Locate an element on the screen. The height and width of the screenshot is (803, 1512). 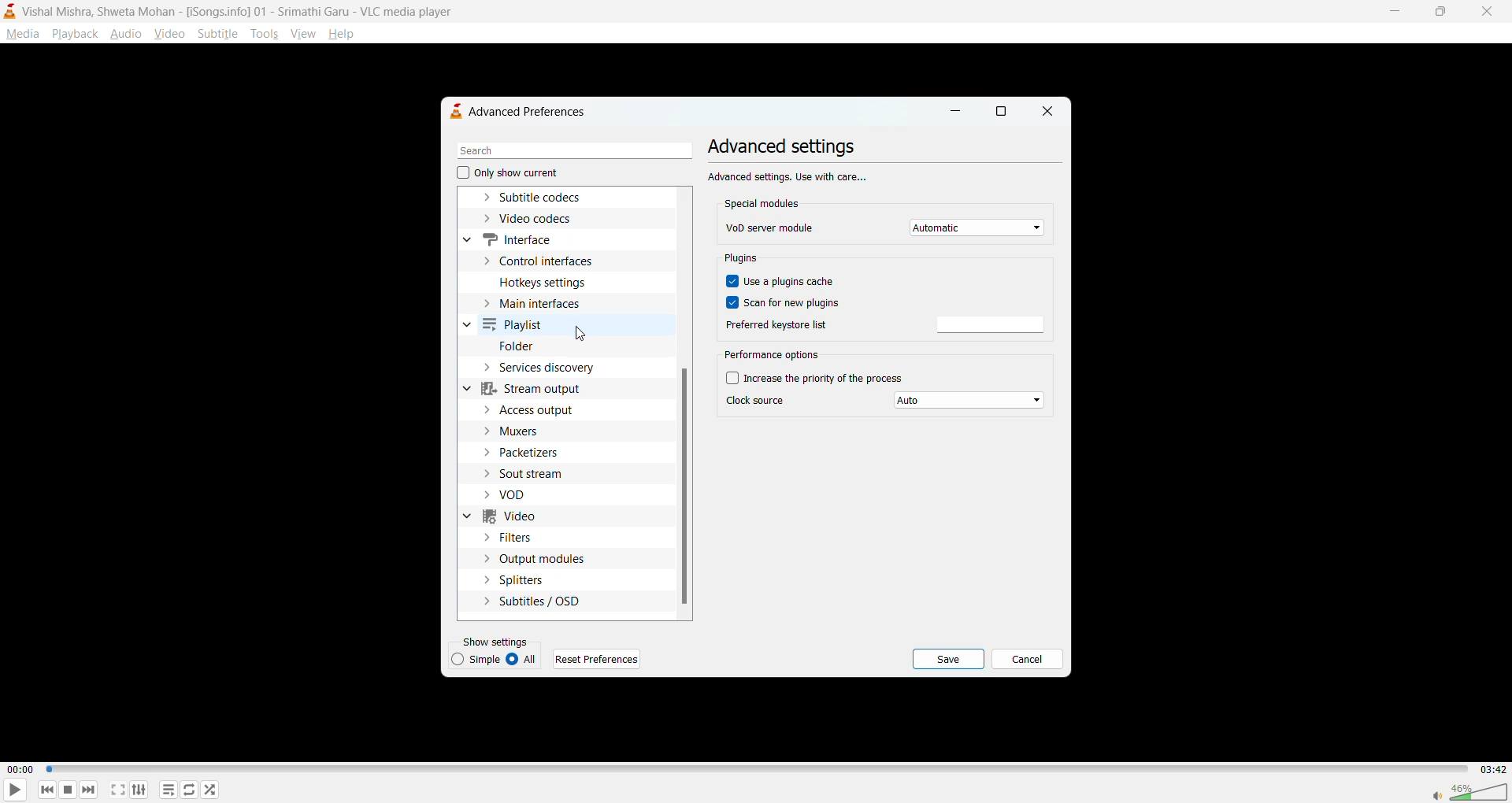
cursor is located at coordinates (580, 336).